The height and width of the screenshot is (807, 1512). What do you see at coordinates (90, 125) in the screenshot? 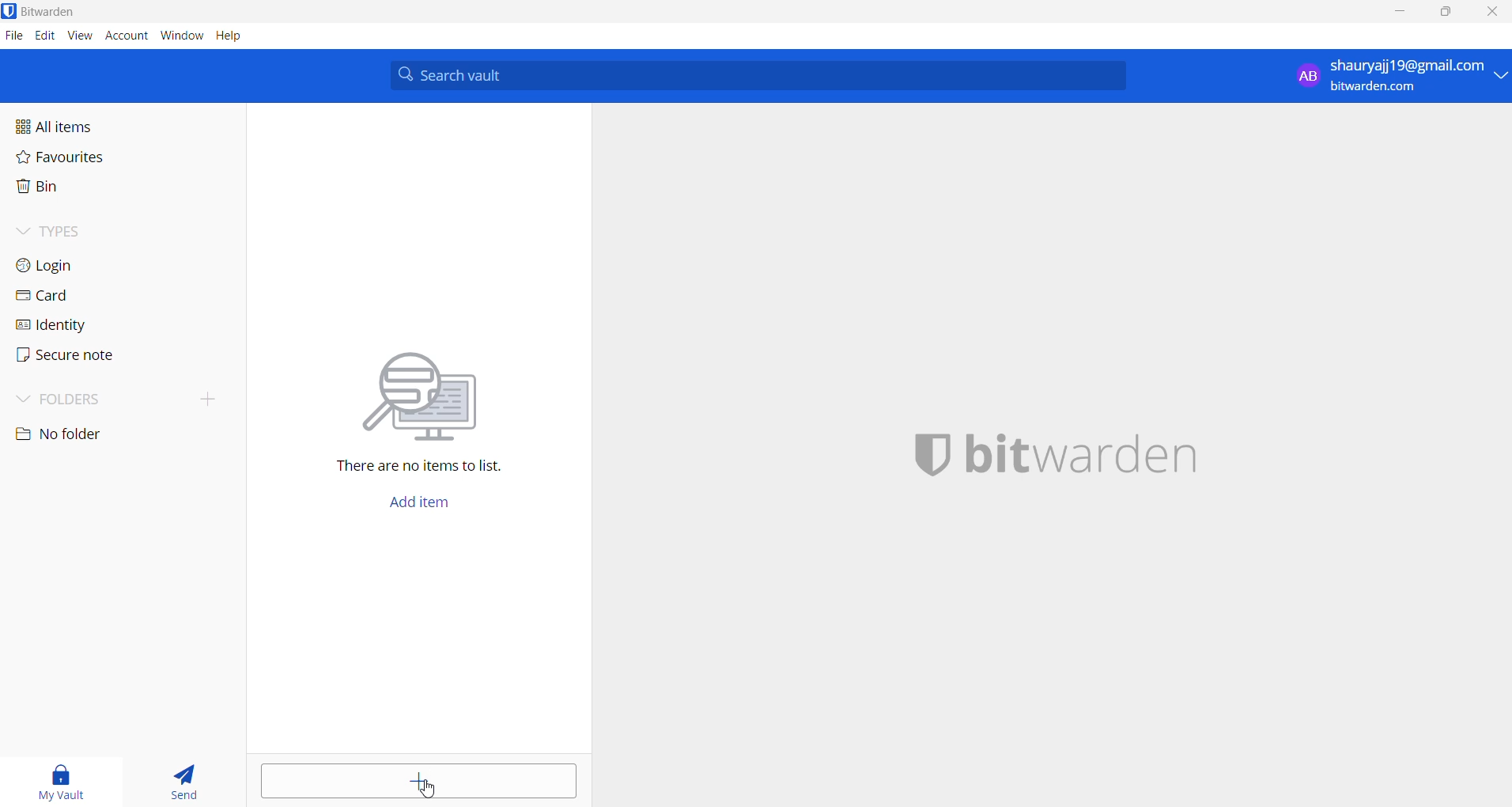
I see `All items` at bounding box center [90, 125].